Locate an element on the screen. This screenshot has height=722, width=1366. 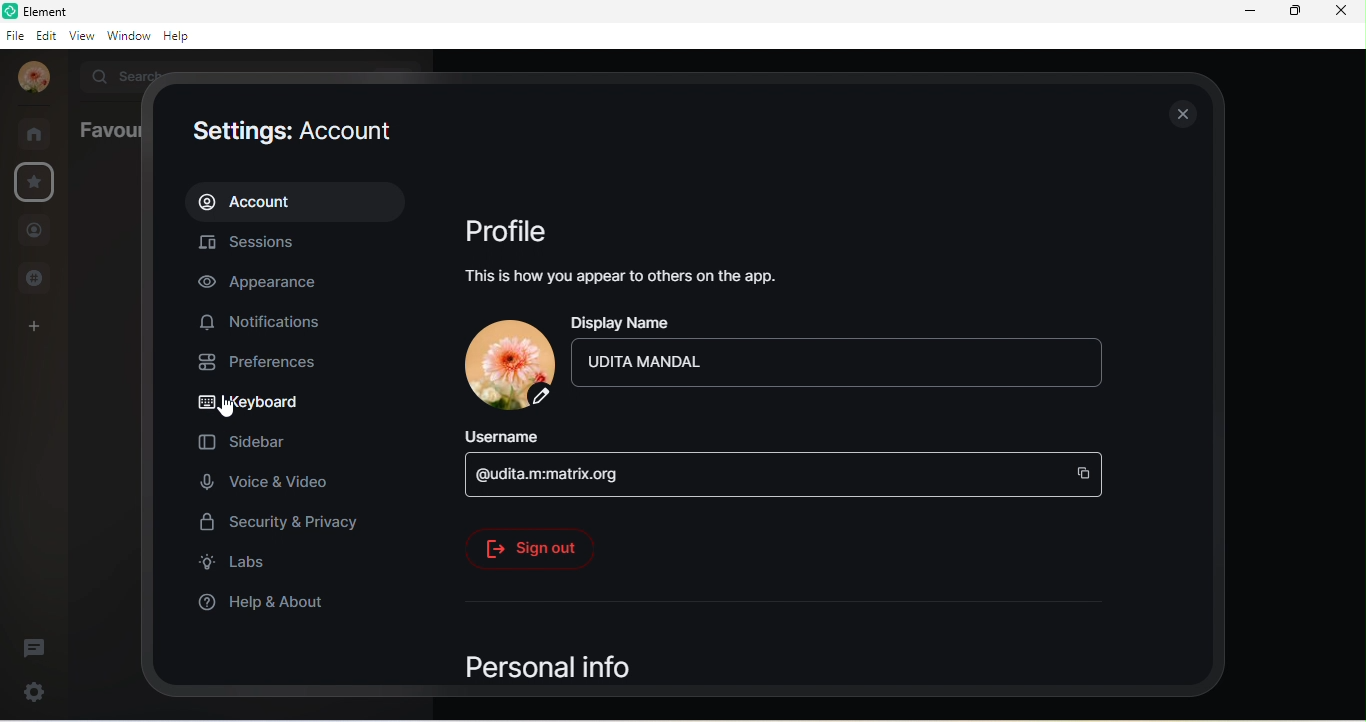
element is located at coordinates (73, 12).